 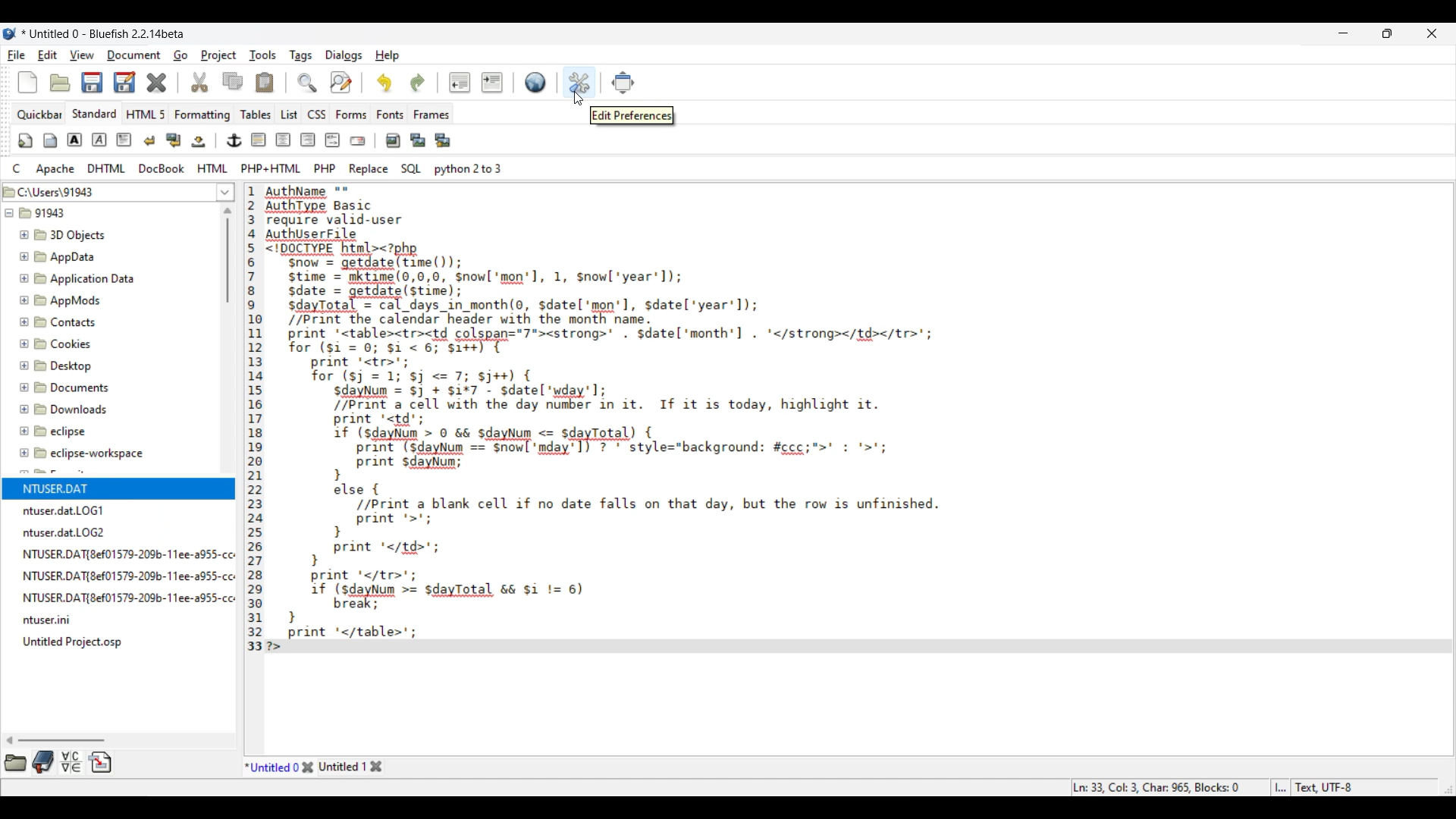 What do you see at coordinates (180, 55) in the screenshot?
I see `Go menu` at bounding box center [180, 55].